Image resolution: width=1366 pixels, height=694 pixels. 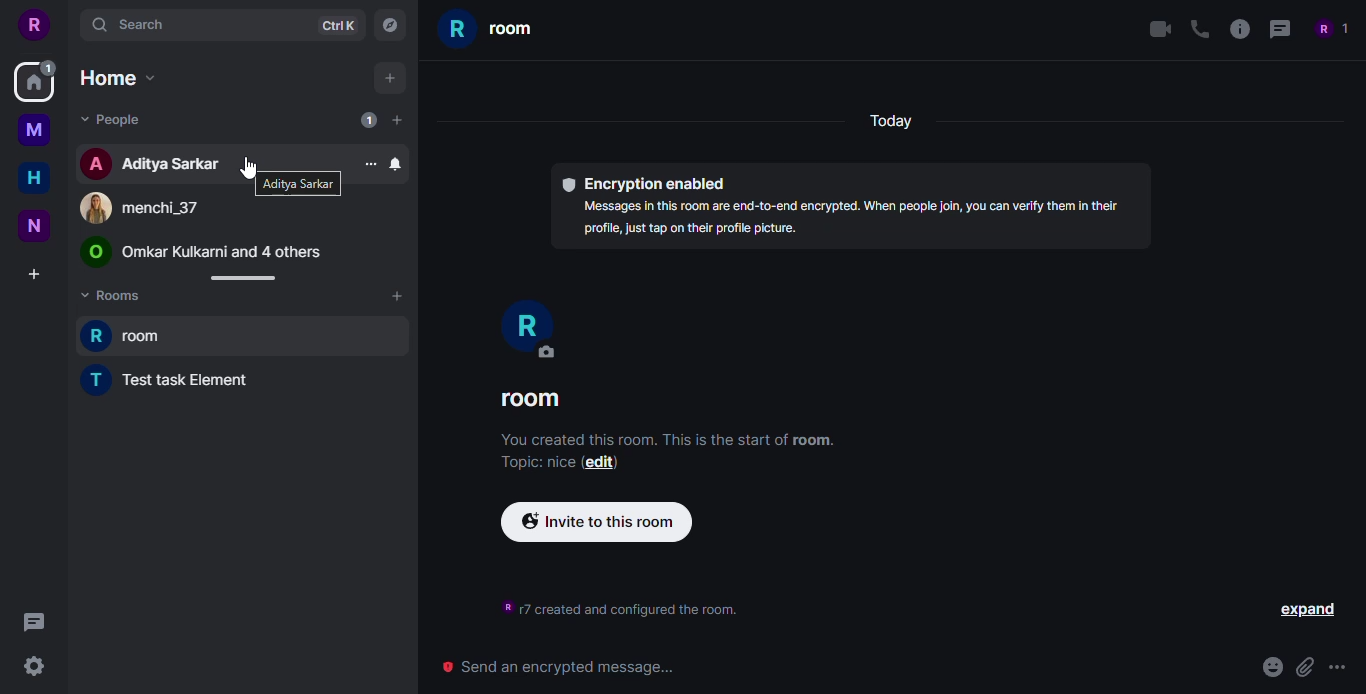 I want to click on menchi_37, so click(x=137, y=209).